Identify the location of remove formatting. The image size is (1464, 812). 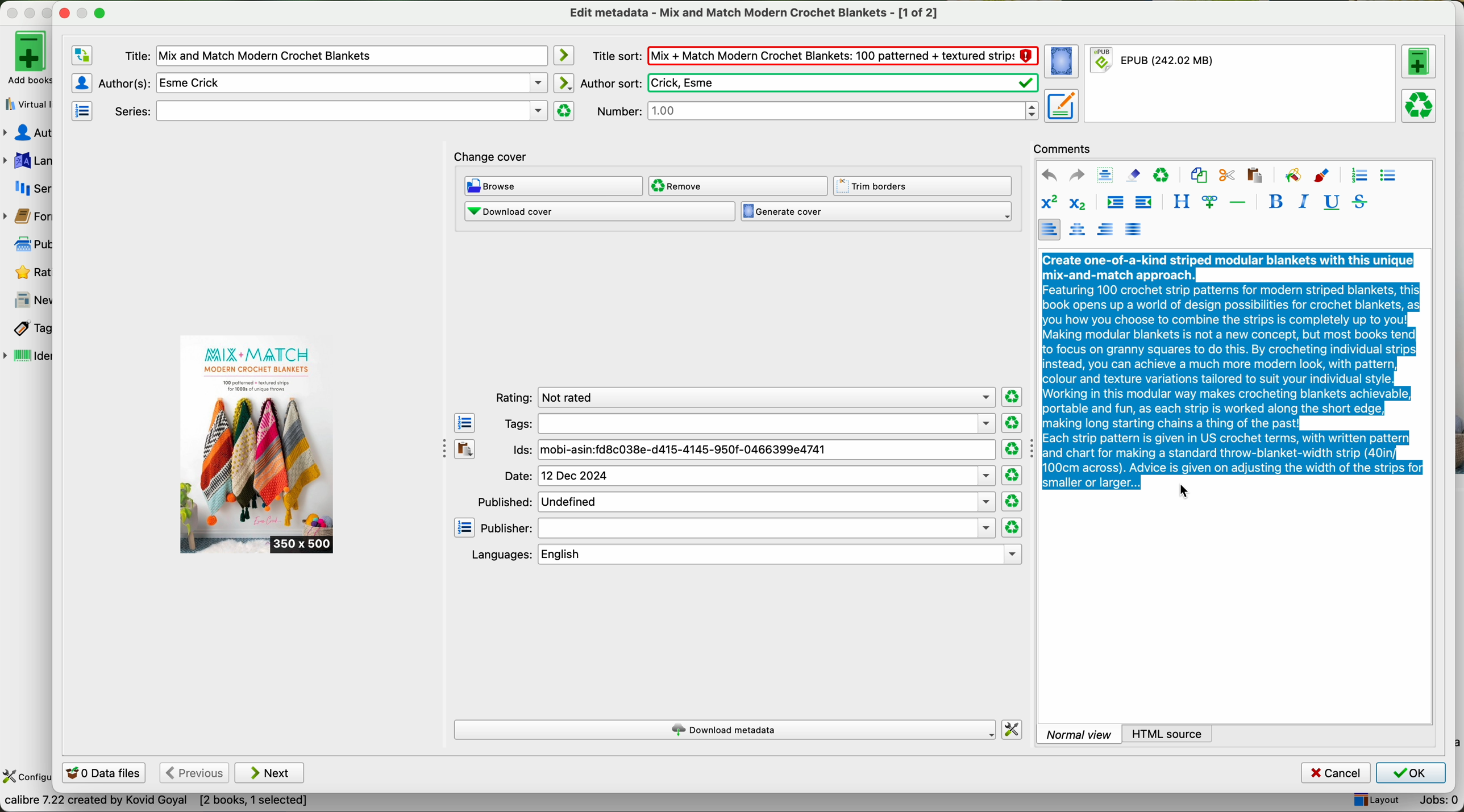
(1133, 174).